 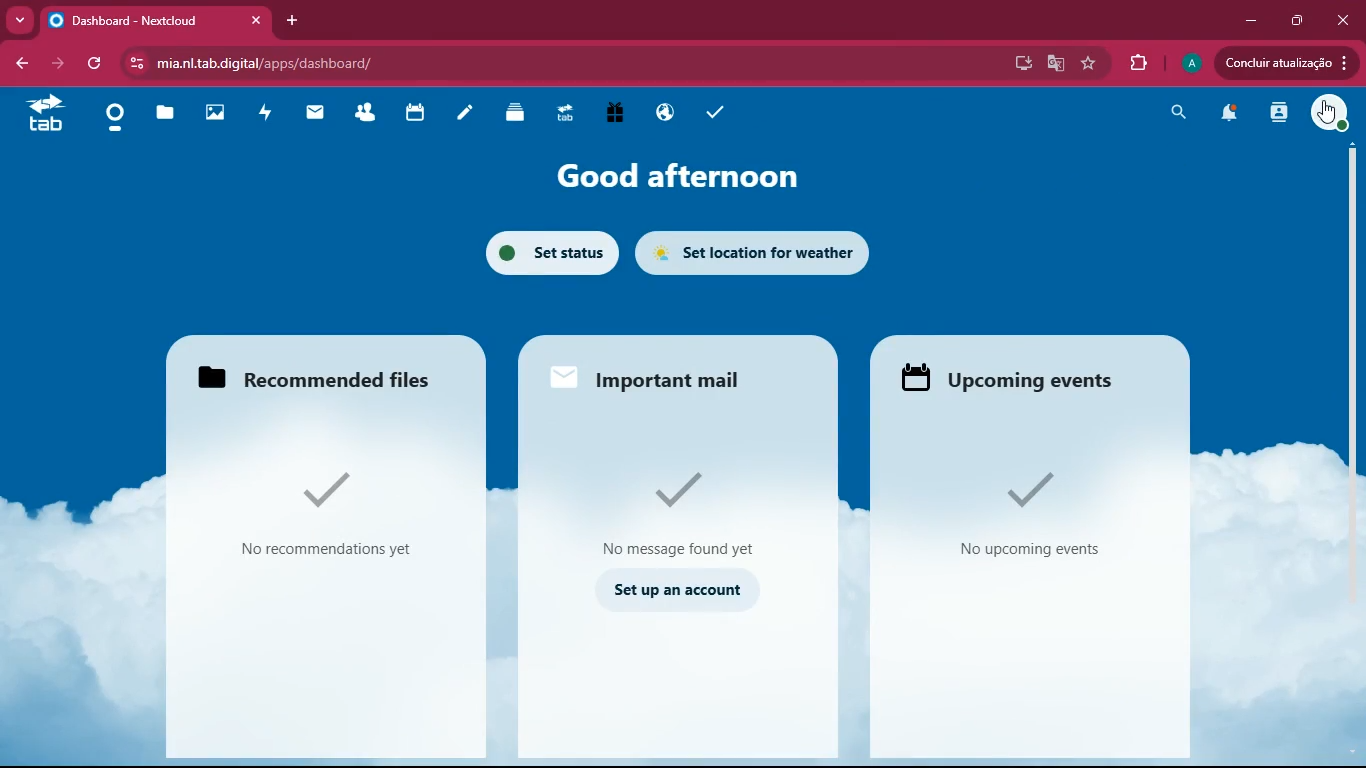 What do you see at coordinates (1281, 114) in the screenshot?
I see `activity` at bounding box center [1281, 114].